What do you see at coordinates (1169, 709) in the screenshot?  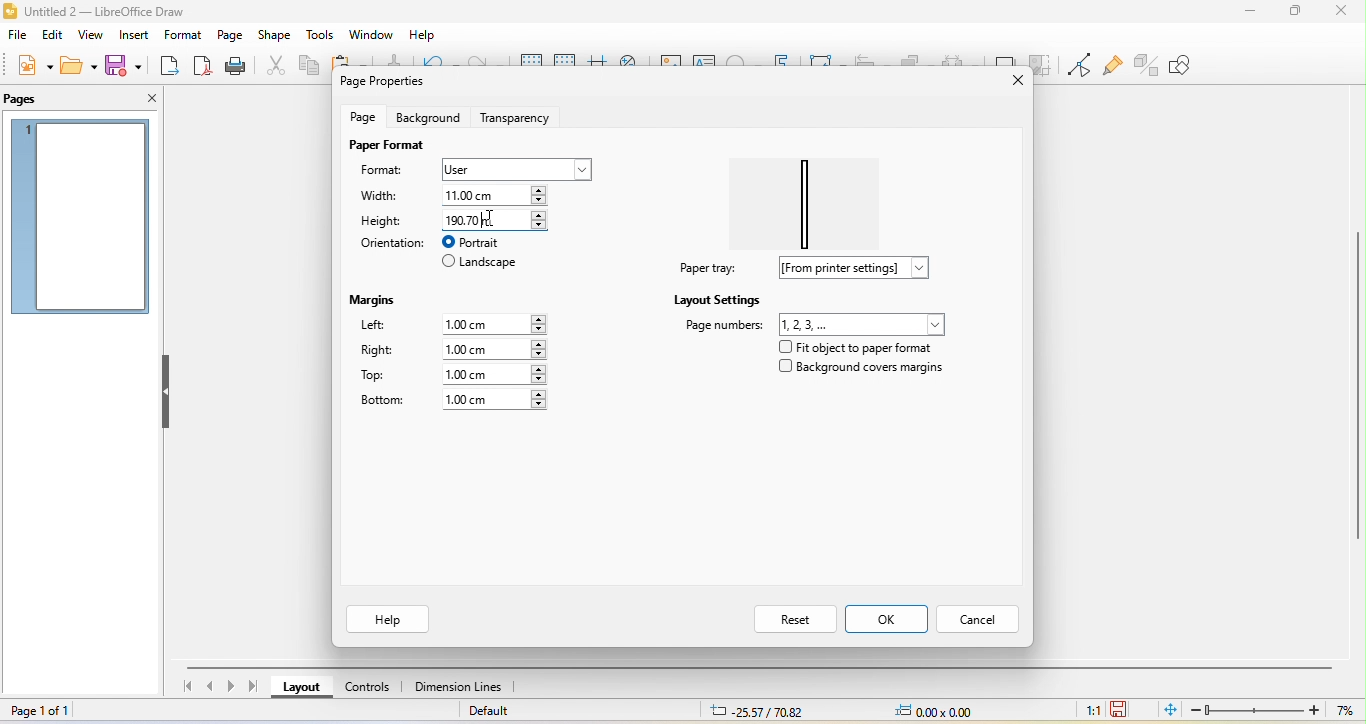 I see `fit page to current window` at bounding box center [1169, 709].